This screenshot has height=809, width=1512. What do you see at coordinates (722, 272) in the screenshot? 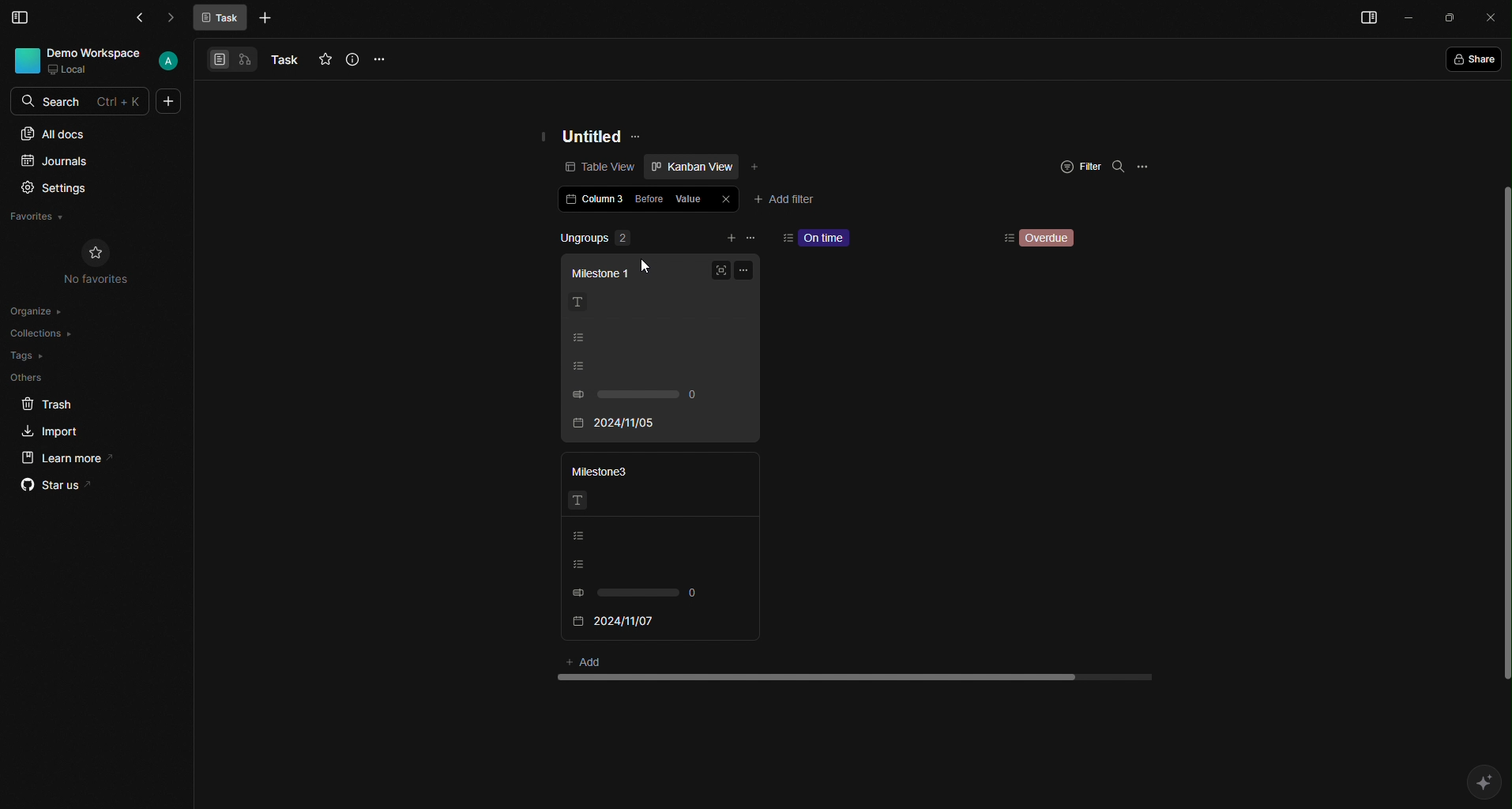
I see `Full screen` at bounding box center [722, 272].